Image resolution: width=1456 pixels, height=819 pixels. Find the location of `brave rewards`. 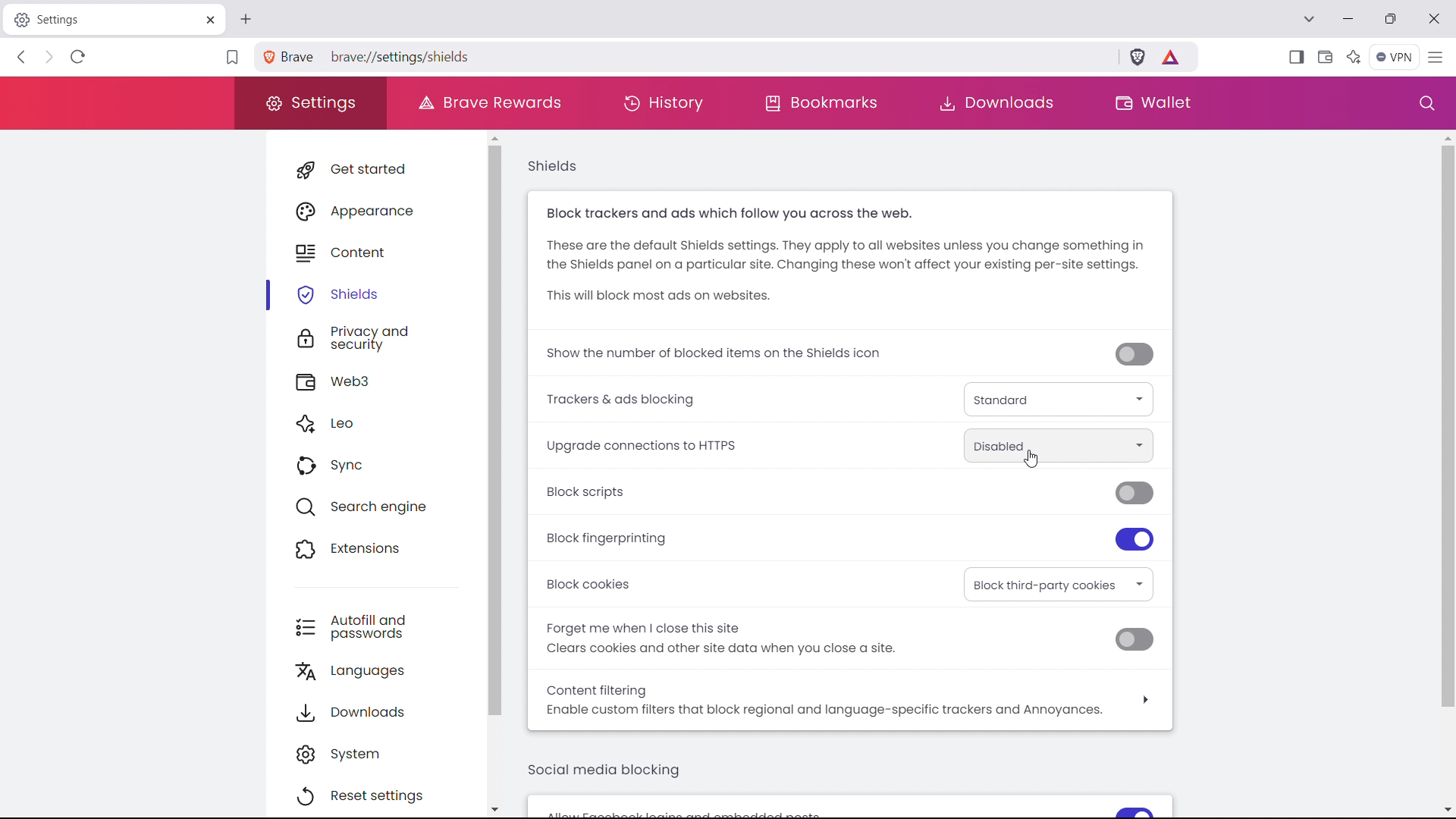

brave rewards is located at coordinates (488, 102).